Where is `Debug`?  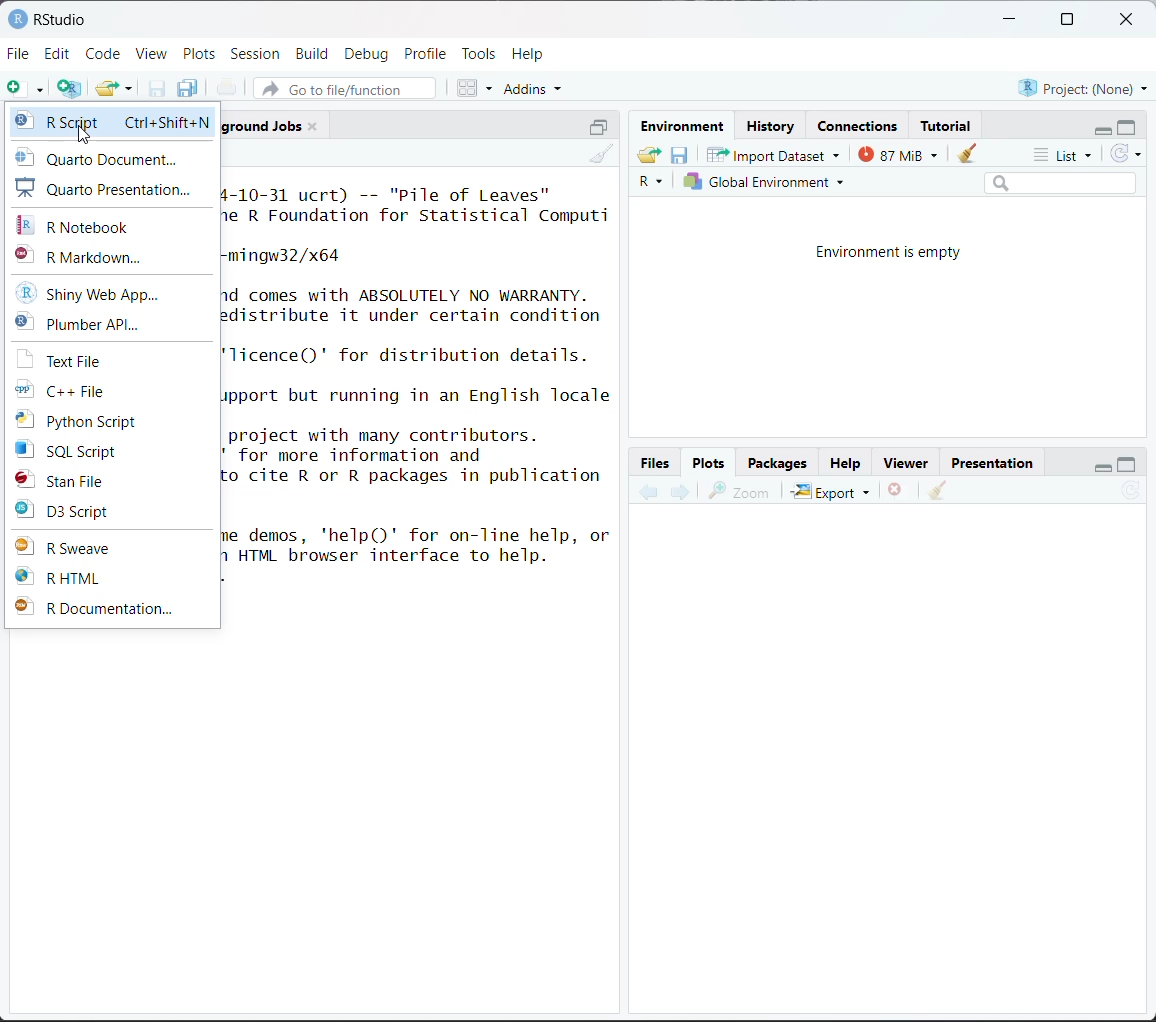
Debug is located at coordinates (366, 54).